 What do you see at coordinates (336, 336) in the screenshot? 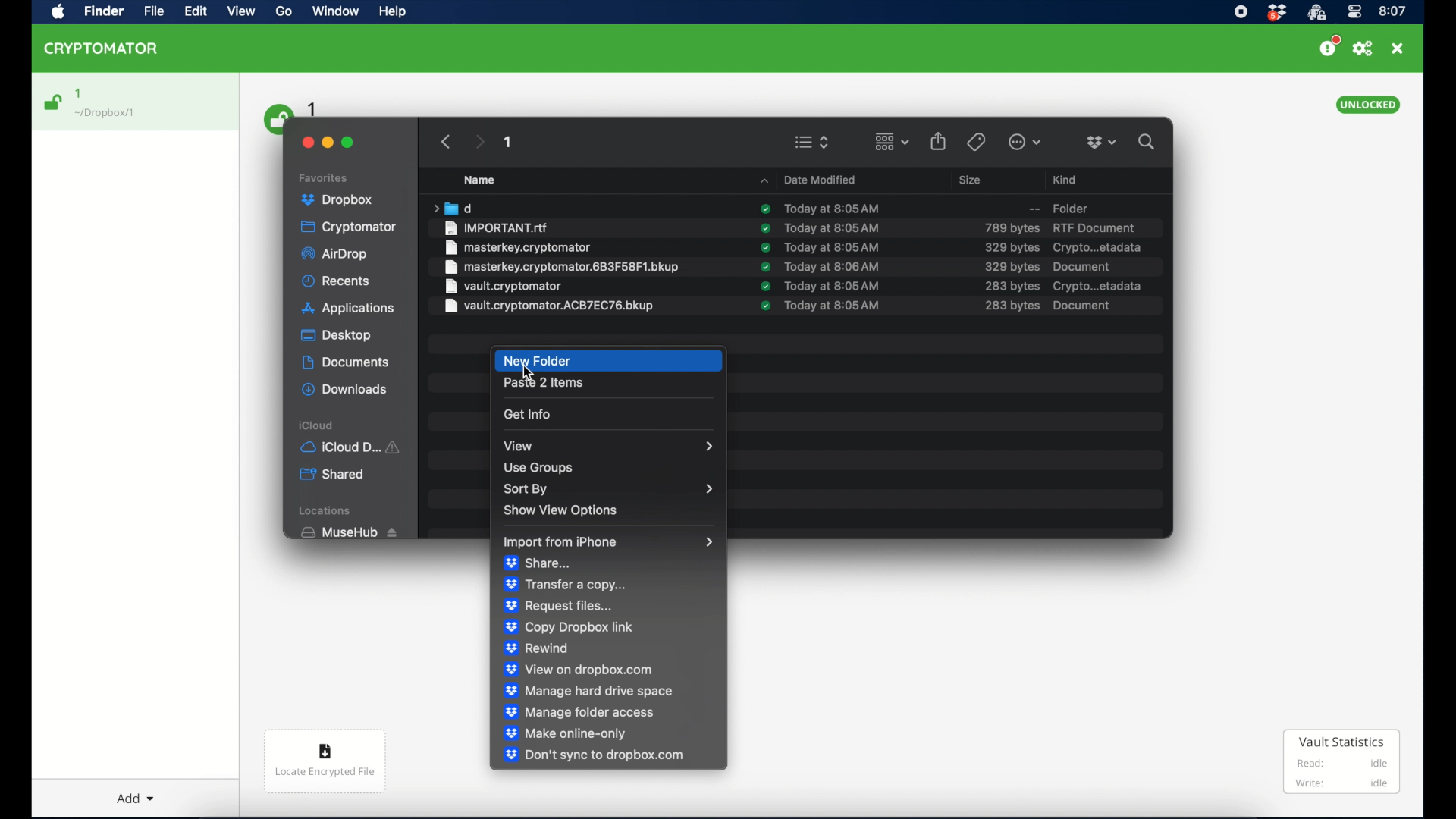
I see `desktop` at bounding box center [336, 336].